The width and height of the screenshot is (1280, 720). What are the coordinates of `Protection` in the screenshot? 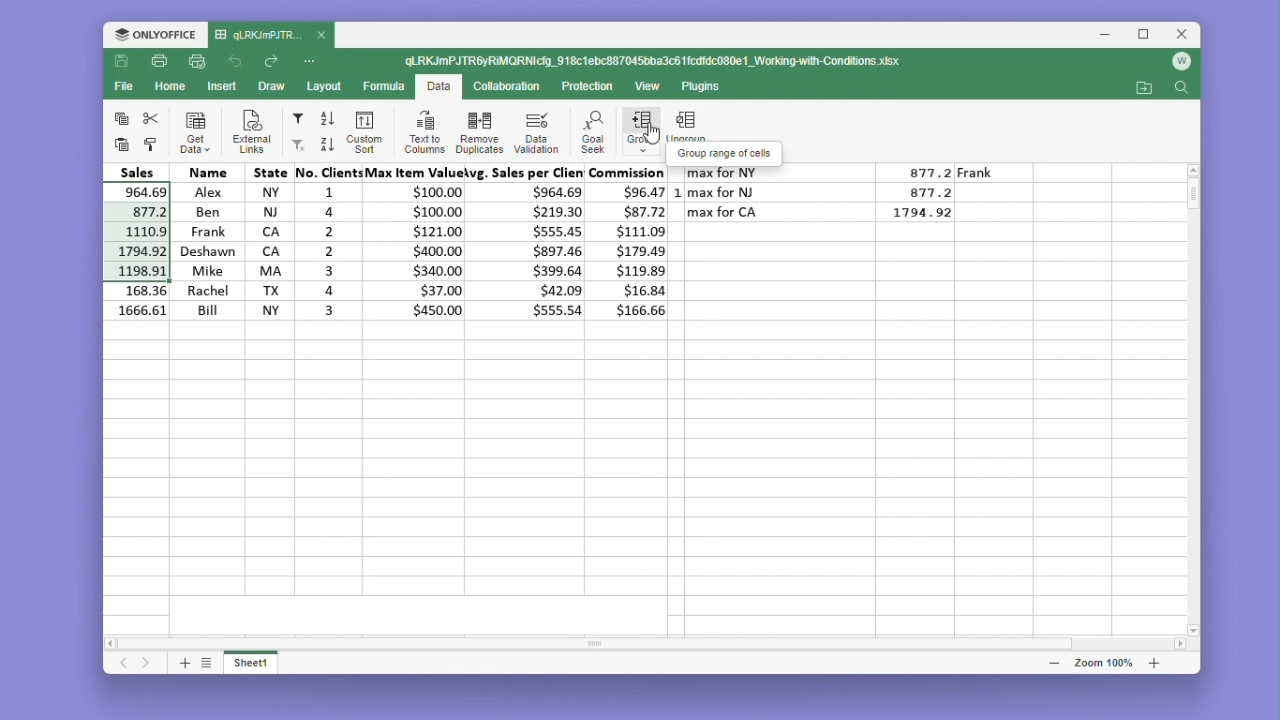 It's located at (582, 87).